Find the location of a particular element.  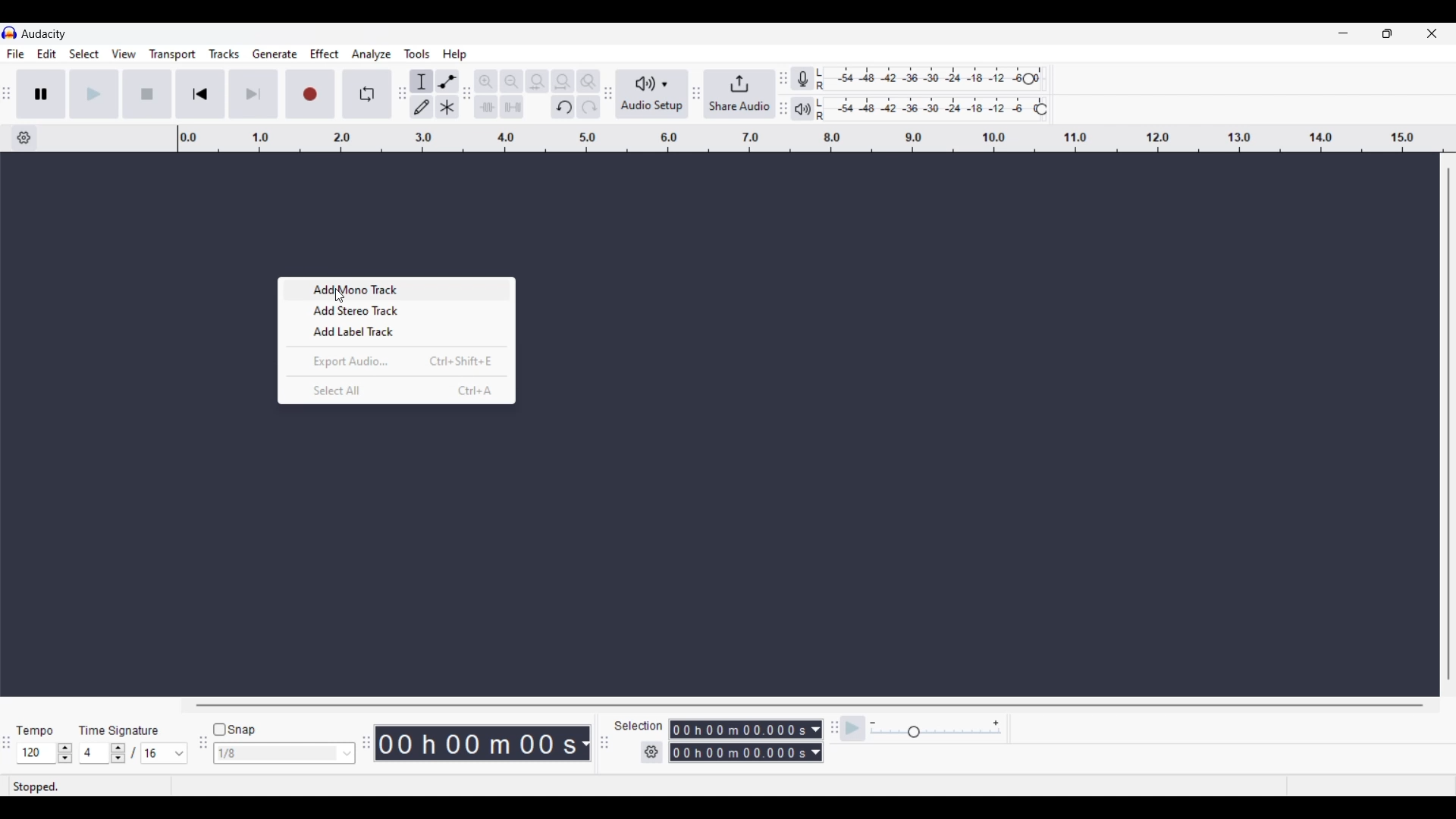

Export audio is located at coordinates (397, 360).